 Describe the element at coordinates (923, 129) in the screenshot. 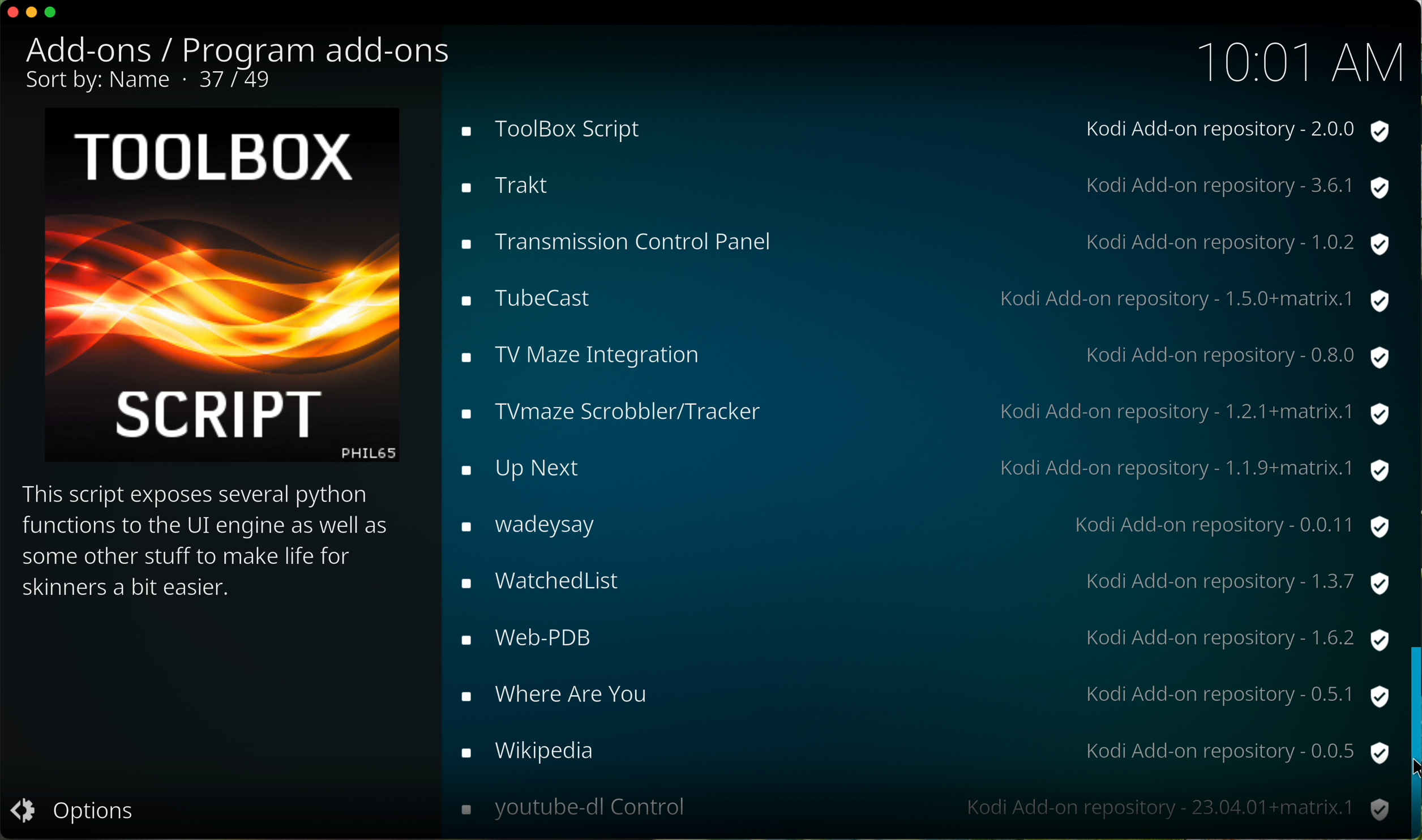

I see `toolbox script` at that location.